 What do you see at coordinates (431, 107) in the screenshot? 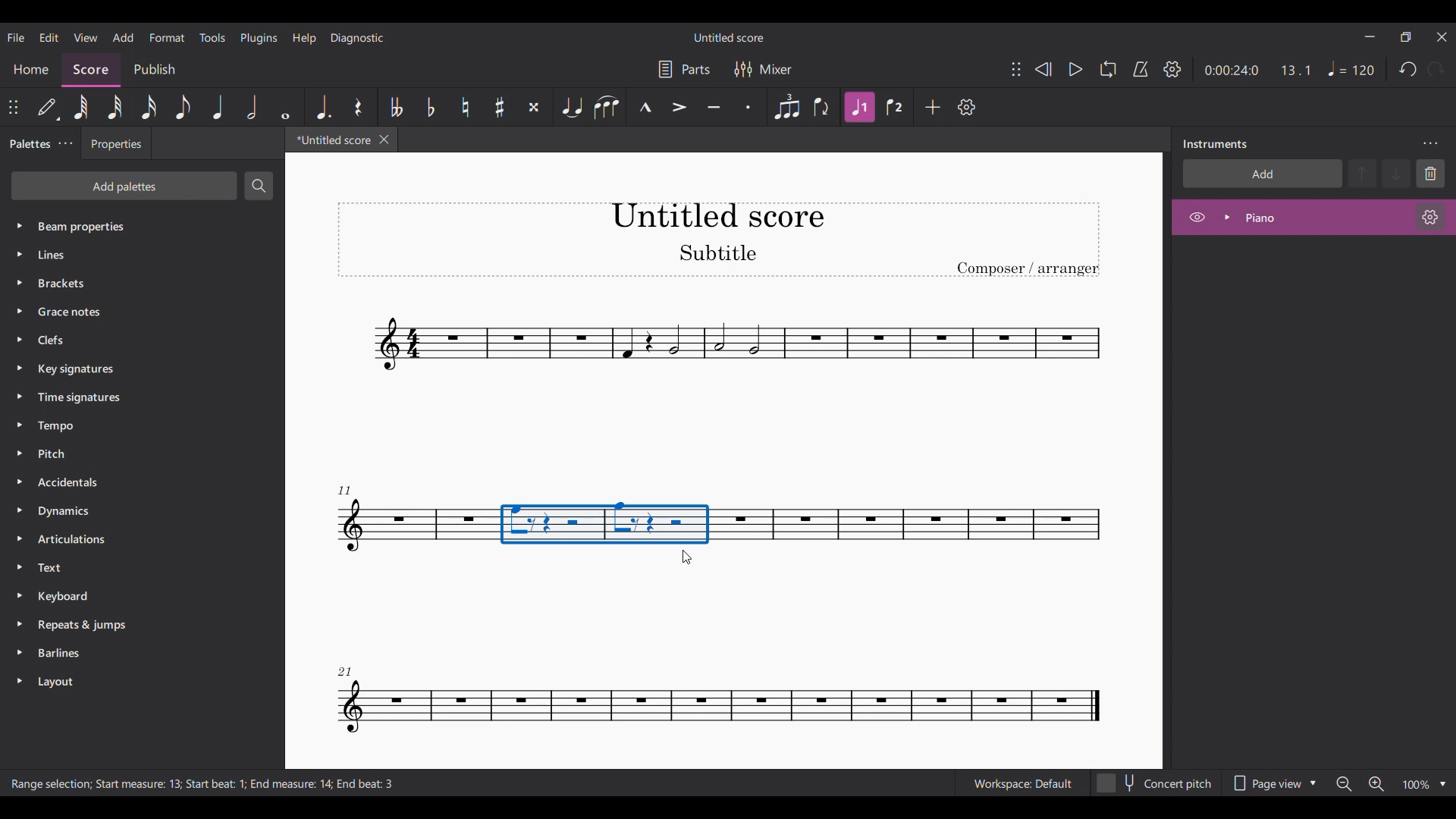
I see `Toggle flat` at bounding box center [431, 107].